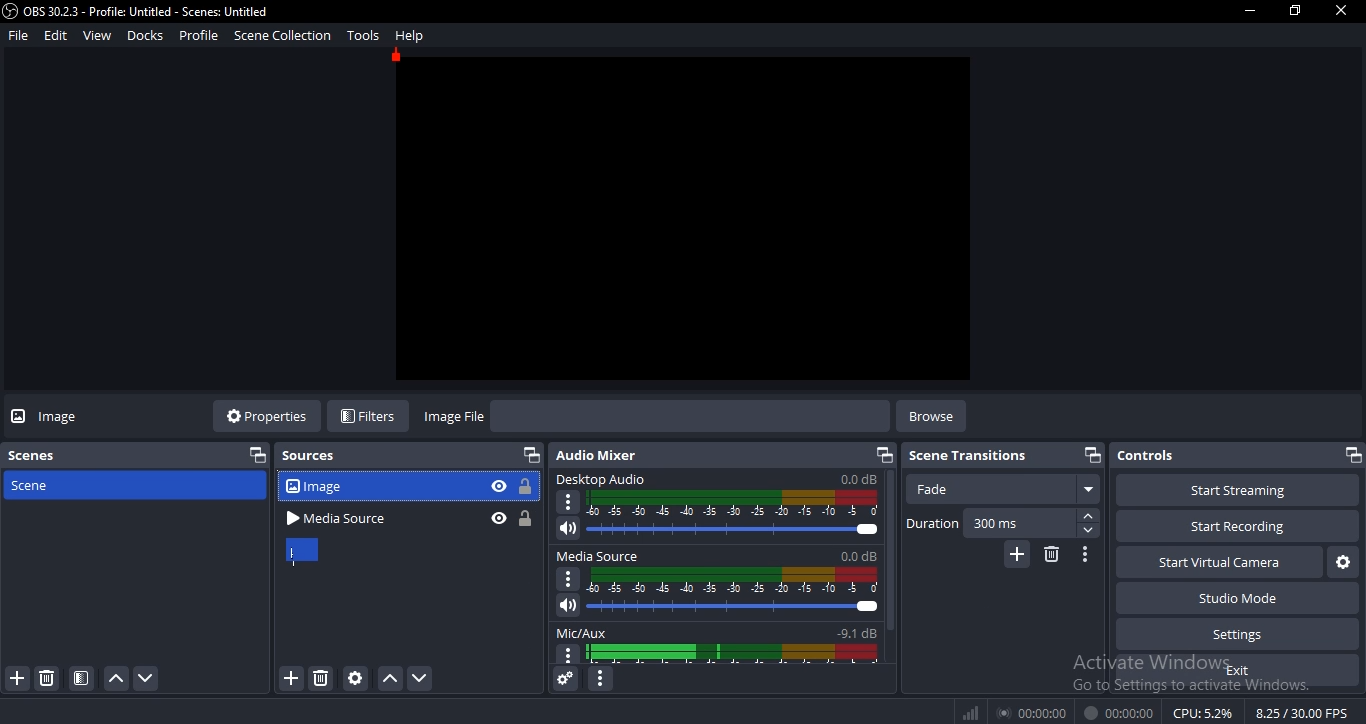 The width and height of the screenshot is (1366, 724). Describe the element at coordinates (499, 517) in the screenshot. I see `hide` at that location.